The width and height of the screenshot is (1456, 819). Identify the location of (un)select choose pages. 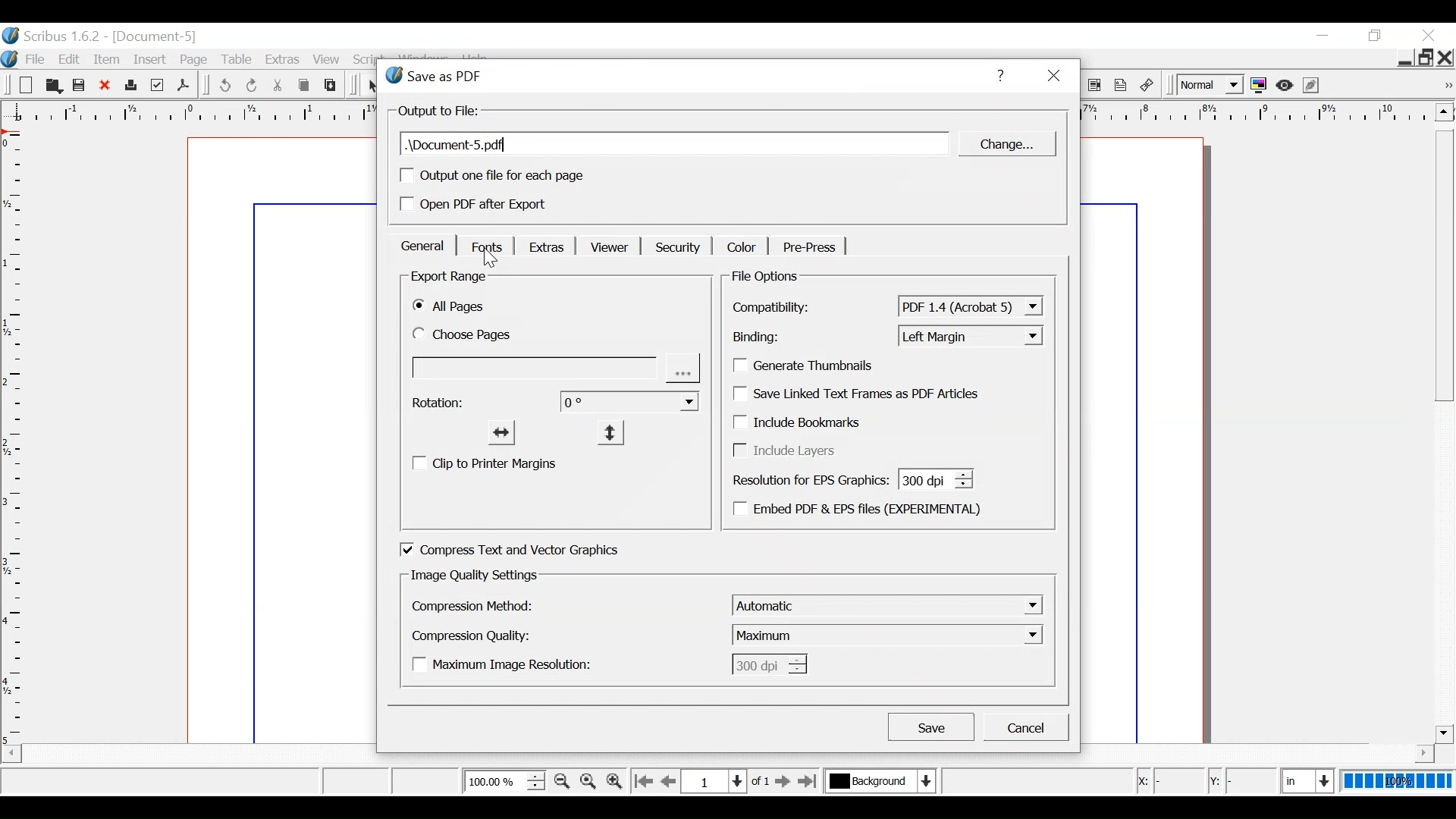
(476, 335).